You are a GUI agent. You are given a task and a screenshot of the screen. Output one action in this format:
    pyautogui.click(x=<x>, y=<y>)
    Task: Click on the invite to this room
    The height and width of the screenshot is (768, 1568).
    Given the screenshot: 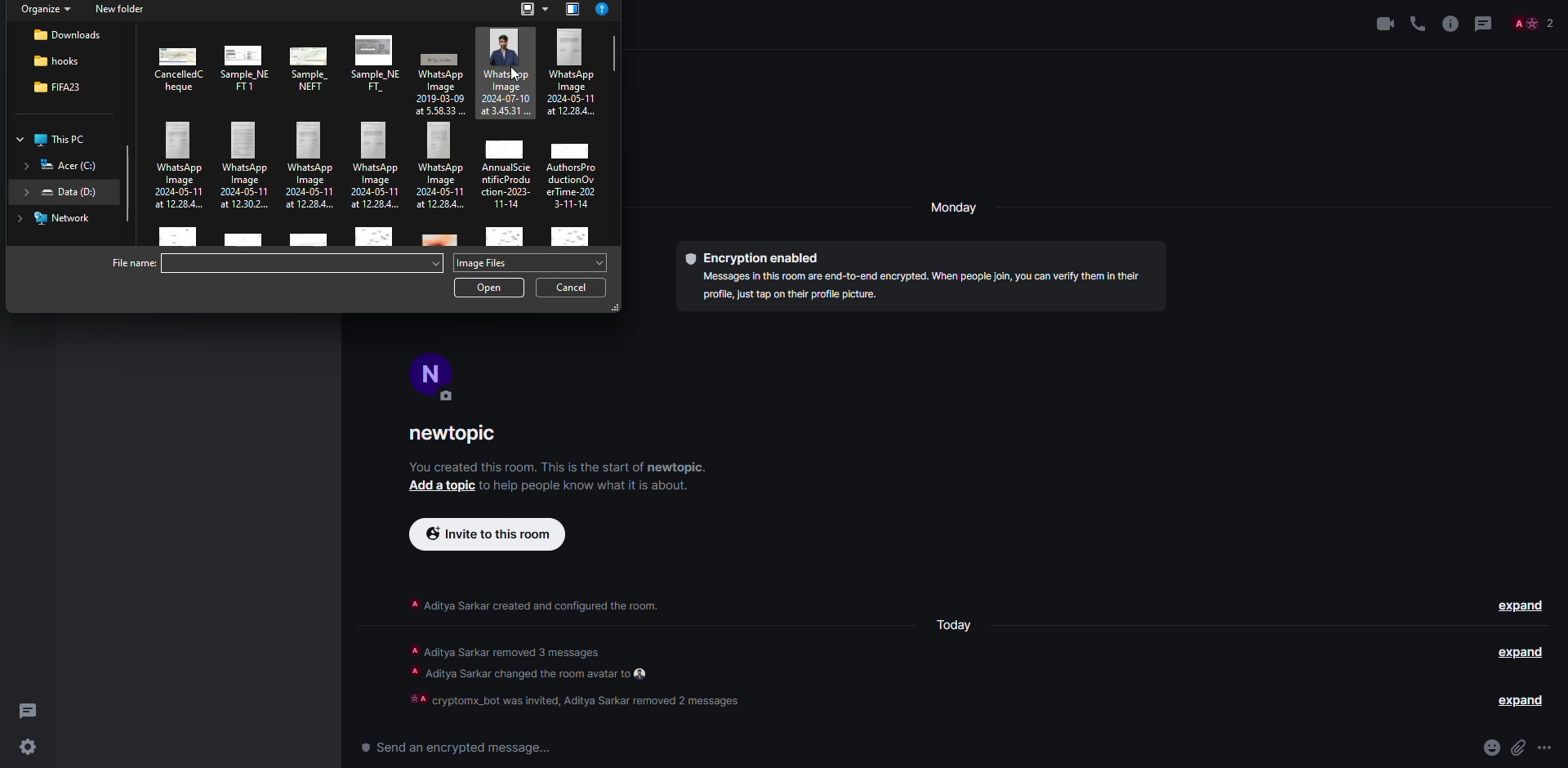 What is the action you would take?
    pyautogui.click(x=483, y=534)
    